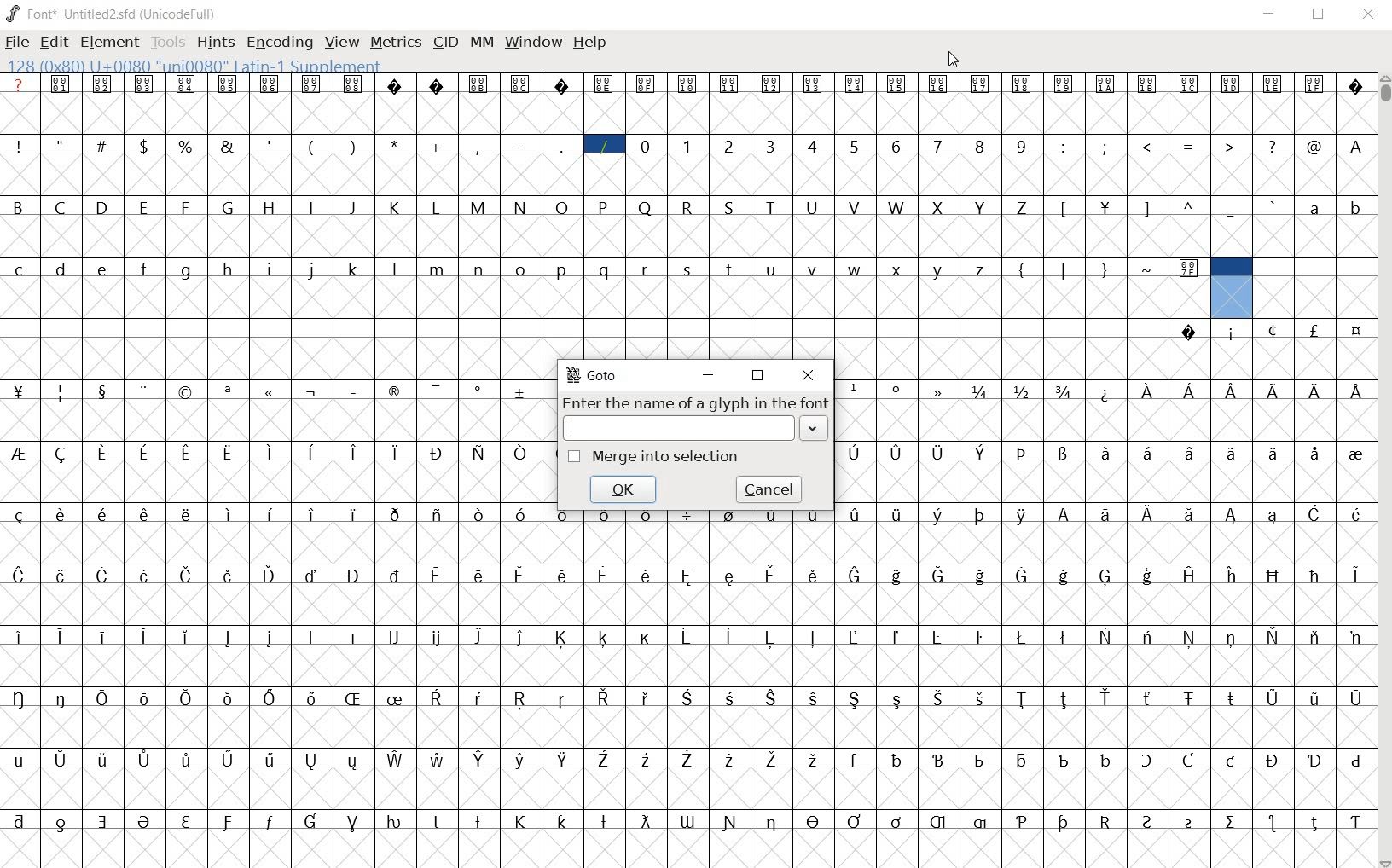  I want to click on Symbol, so click(397, 697).